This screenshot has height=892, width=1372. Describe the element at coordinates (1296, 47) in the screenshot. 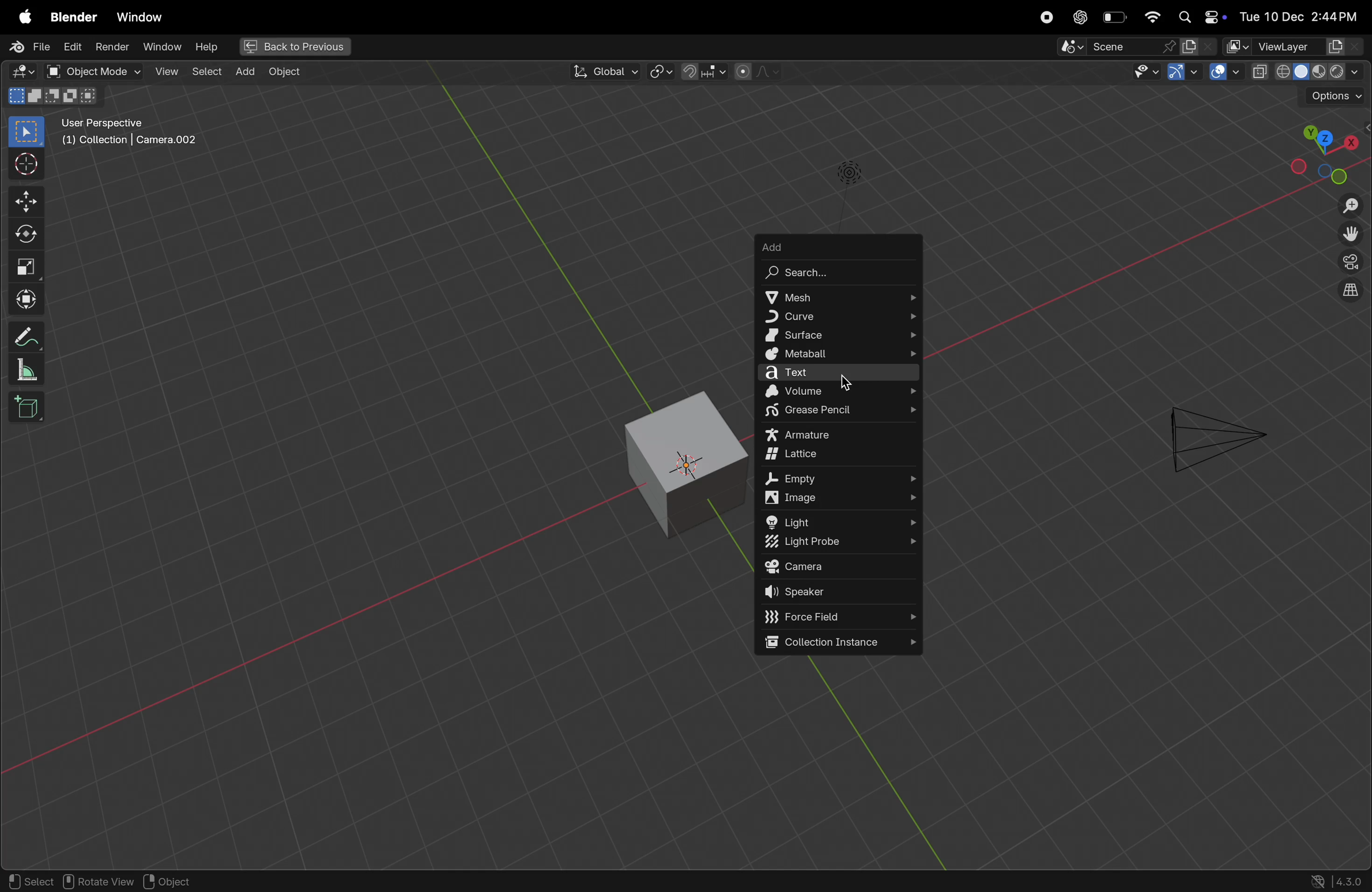

I see `View layer` at that location.